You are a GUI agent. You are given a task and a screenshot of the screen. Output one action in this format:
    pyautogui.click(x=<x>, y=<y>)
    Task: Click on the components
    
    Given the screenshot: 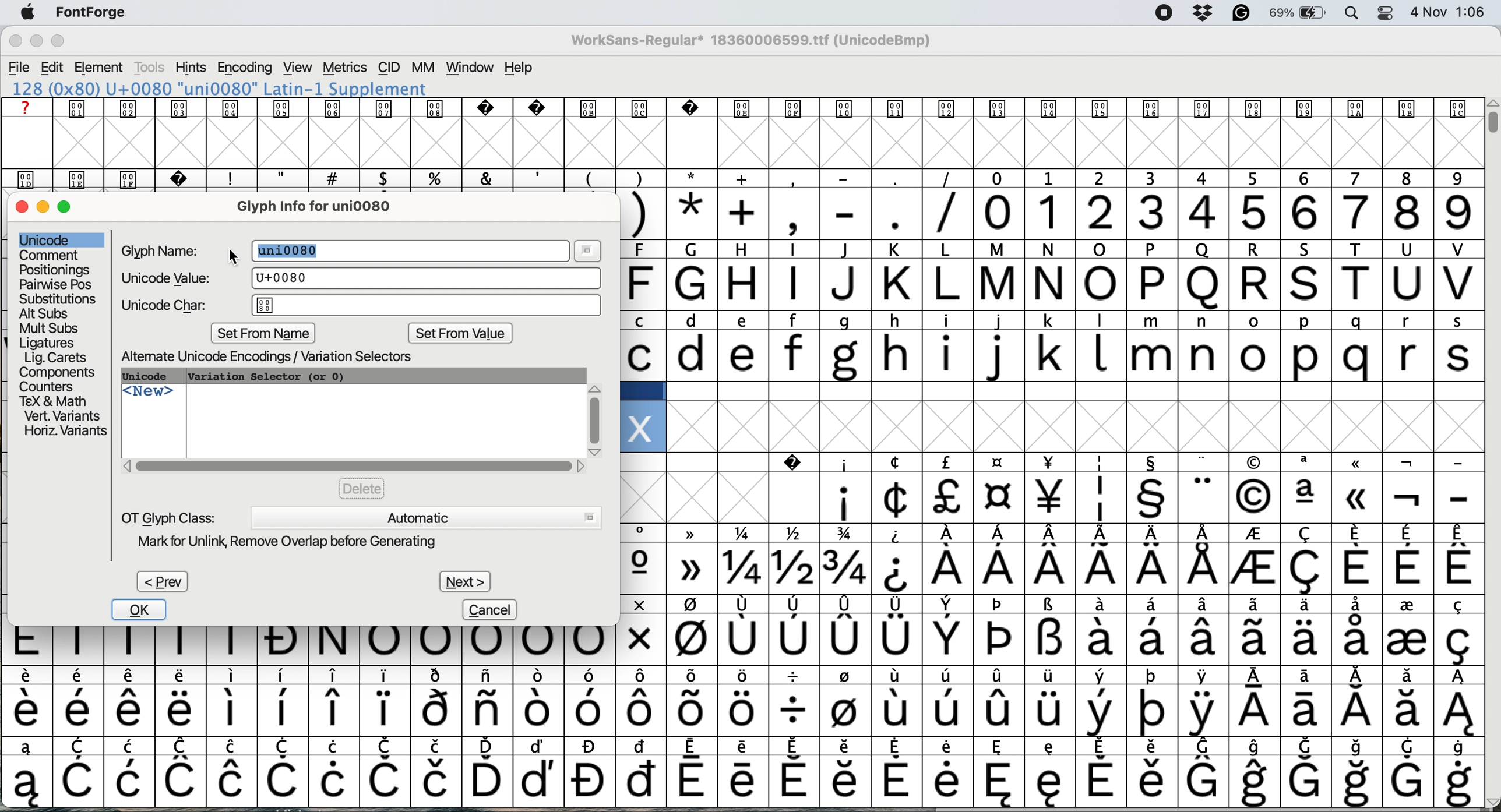 What is the action you would take?
    pyautogui.click(x=61, y=372)
    